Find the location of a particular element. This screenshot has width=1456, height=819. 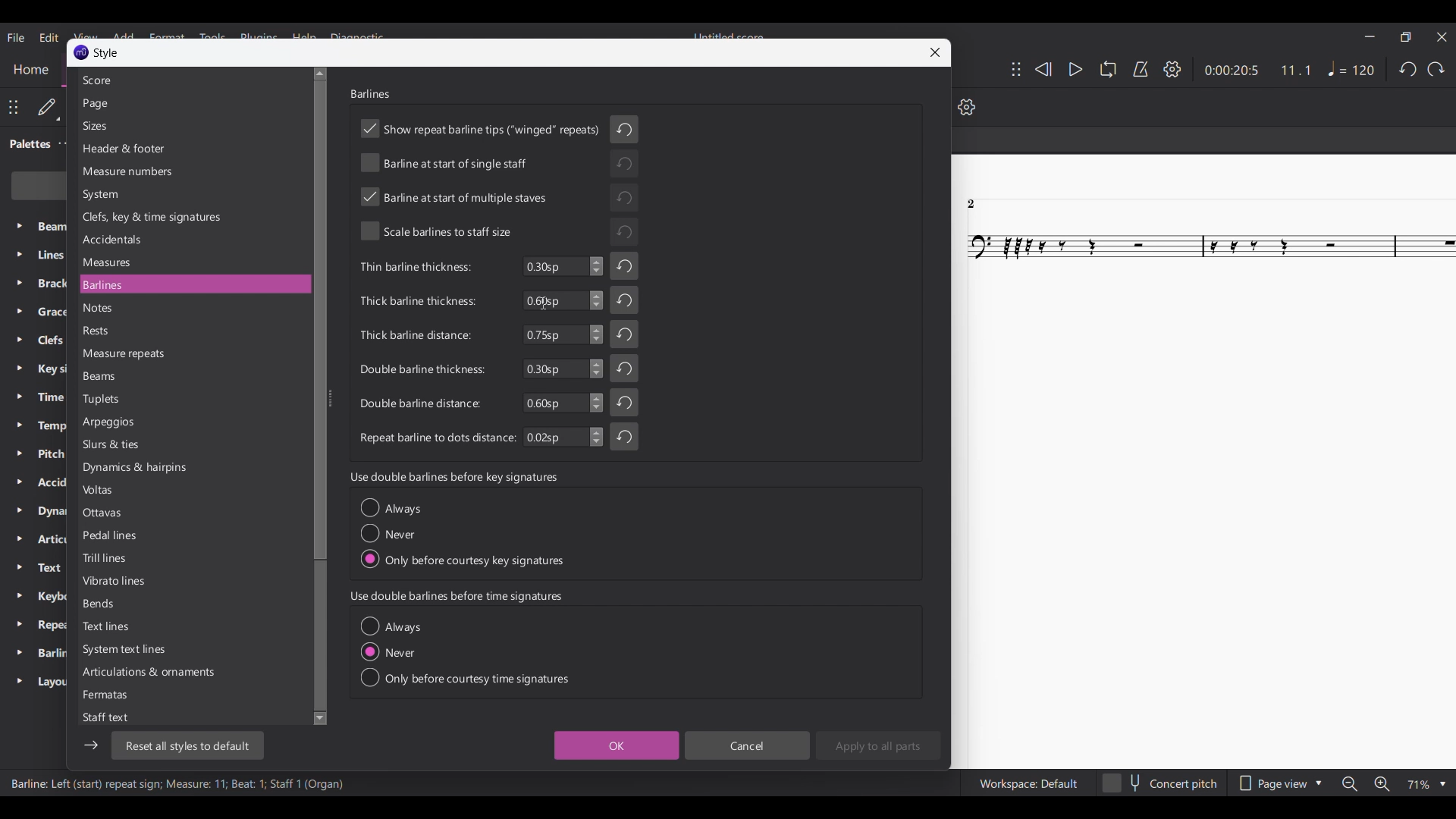

Section title is located at coordinates (453, 477).